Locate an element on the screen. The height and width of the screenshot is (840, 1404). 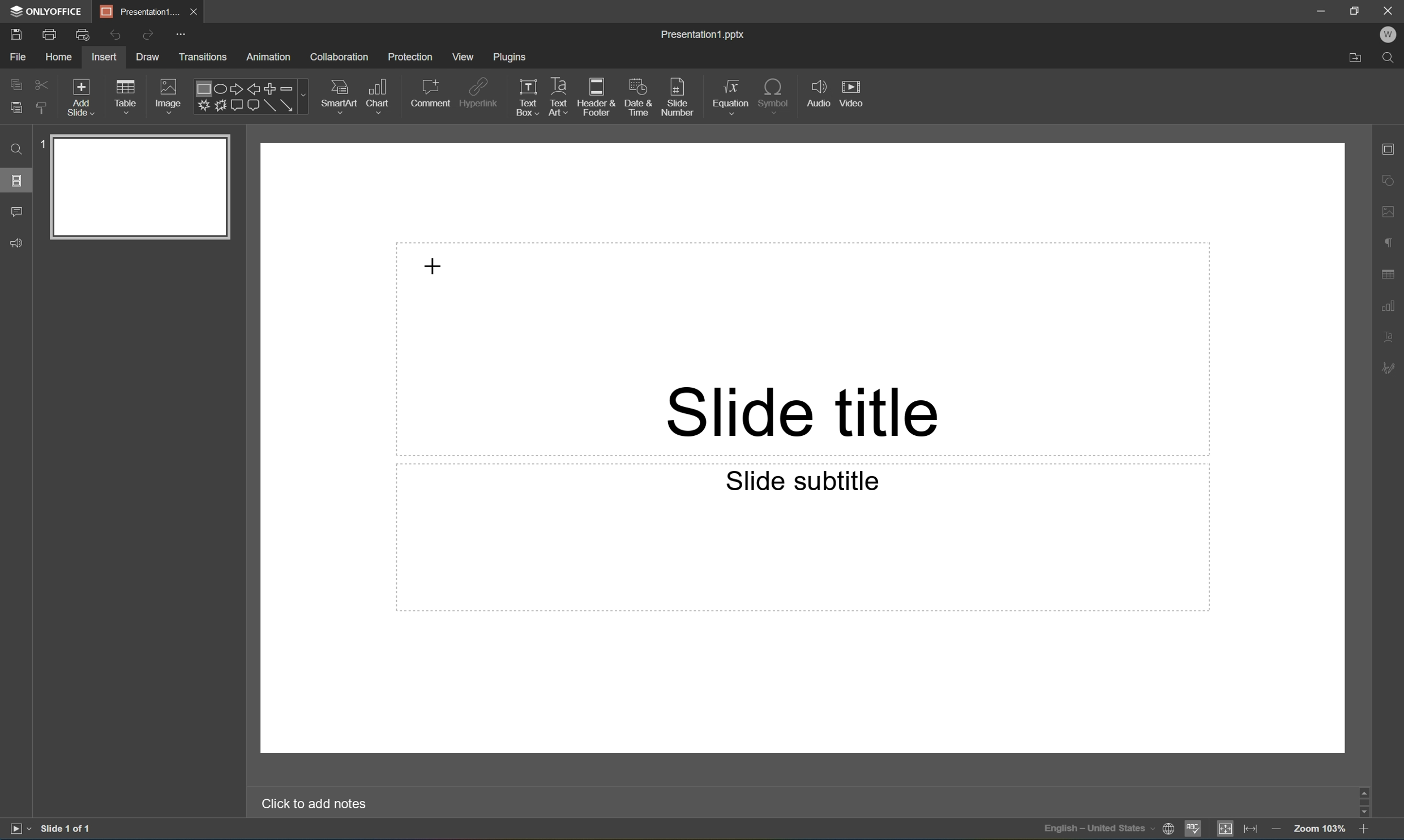
Click to add notes is located at coordinates (318, 804).